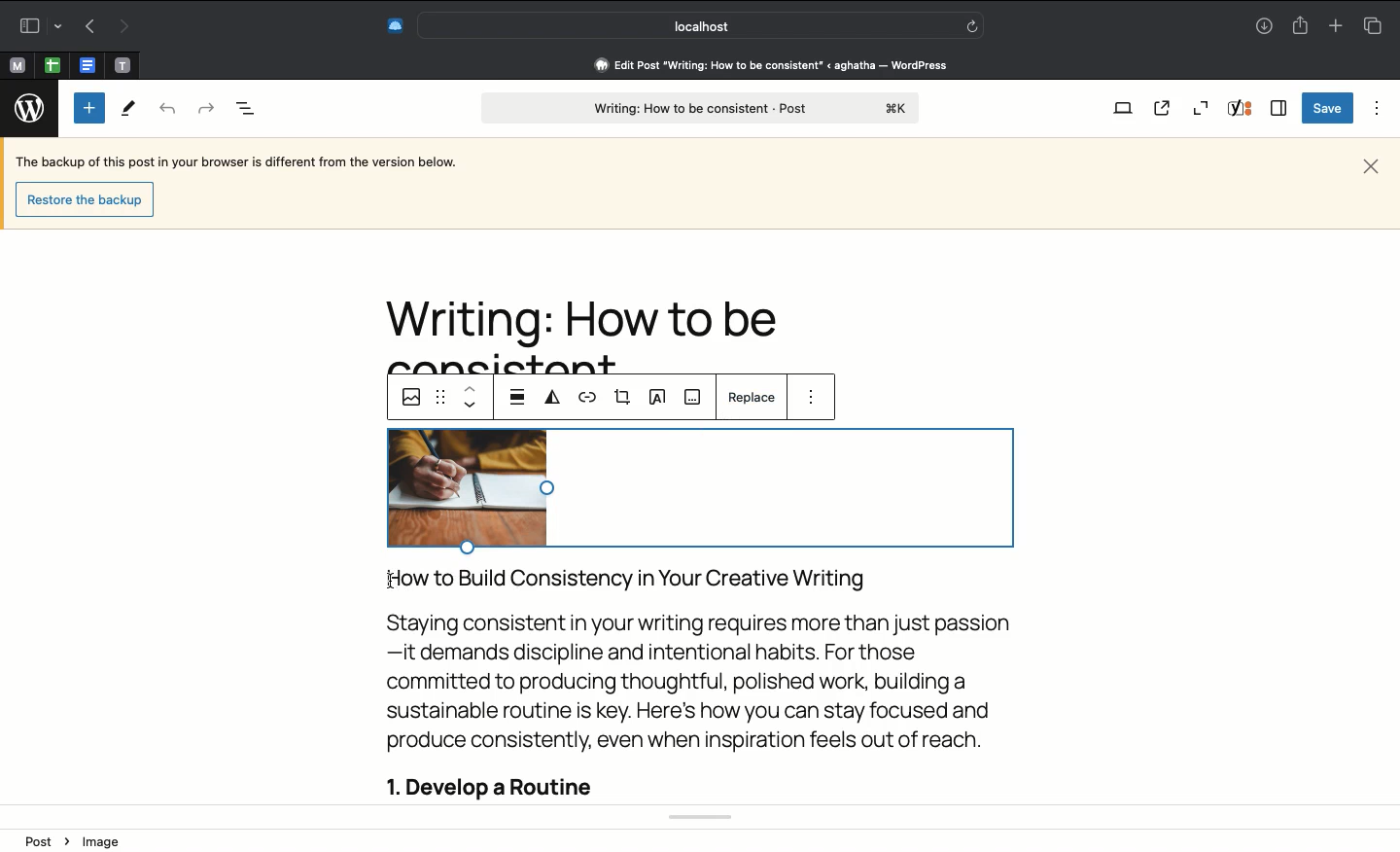 The image size is (1400, 852). What do you see at coordinates (165, 110) in the screenshot?
I see `Back` at bounding box center [165, 110].